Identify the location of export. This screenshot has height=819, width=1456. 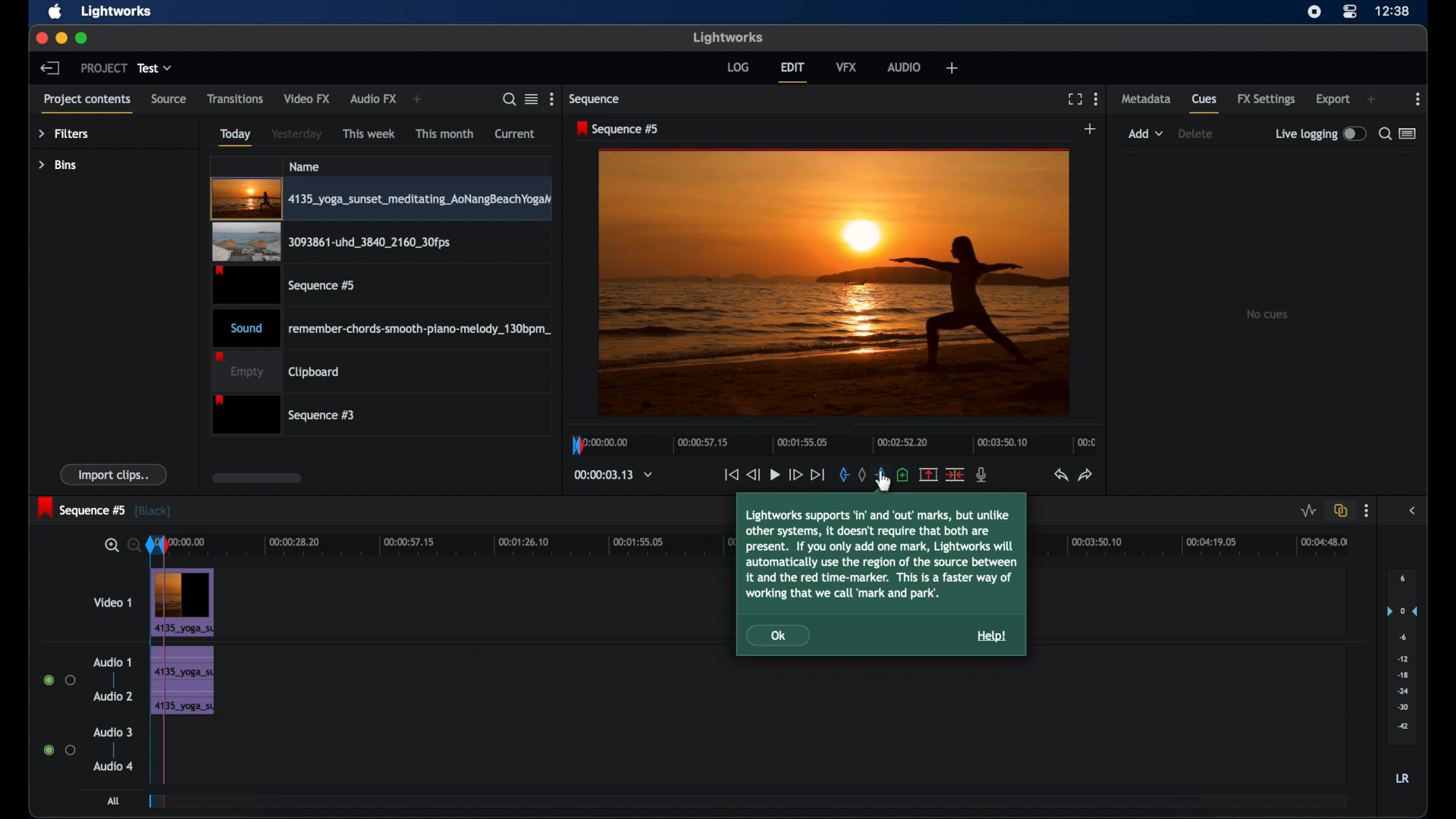
(1334, 99).